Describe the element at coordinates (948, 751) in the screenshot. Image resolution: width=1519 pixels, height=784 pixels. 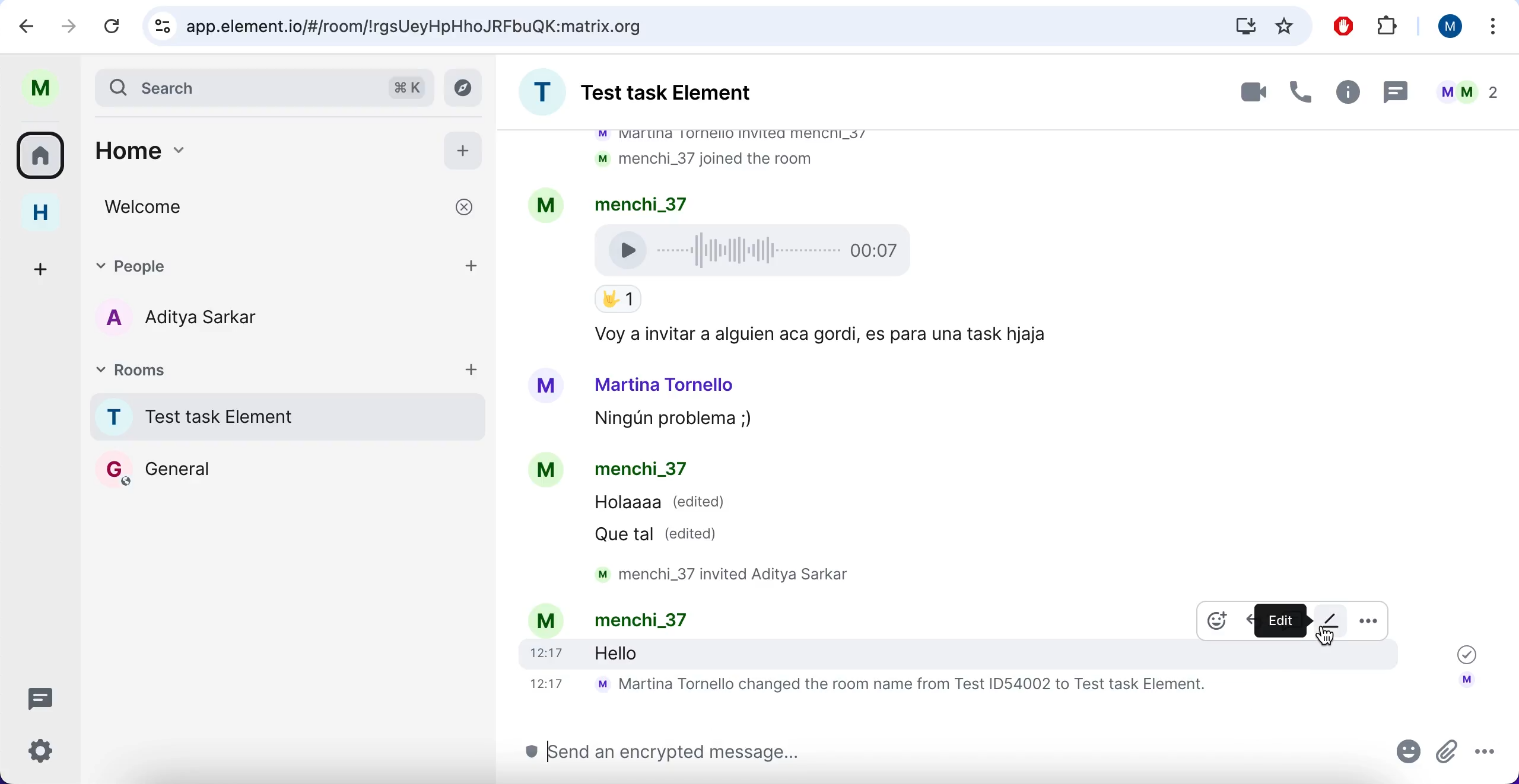
I see `send message` at that location.